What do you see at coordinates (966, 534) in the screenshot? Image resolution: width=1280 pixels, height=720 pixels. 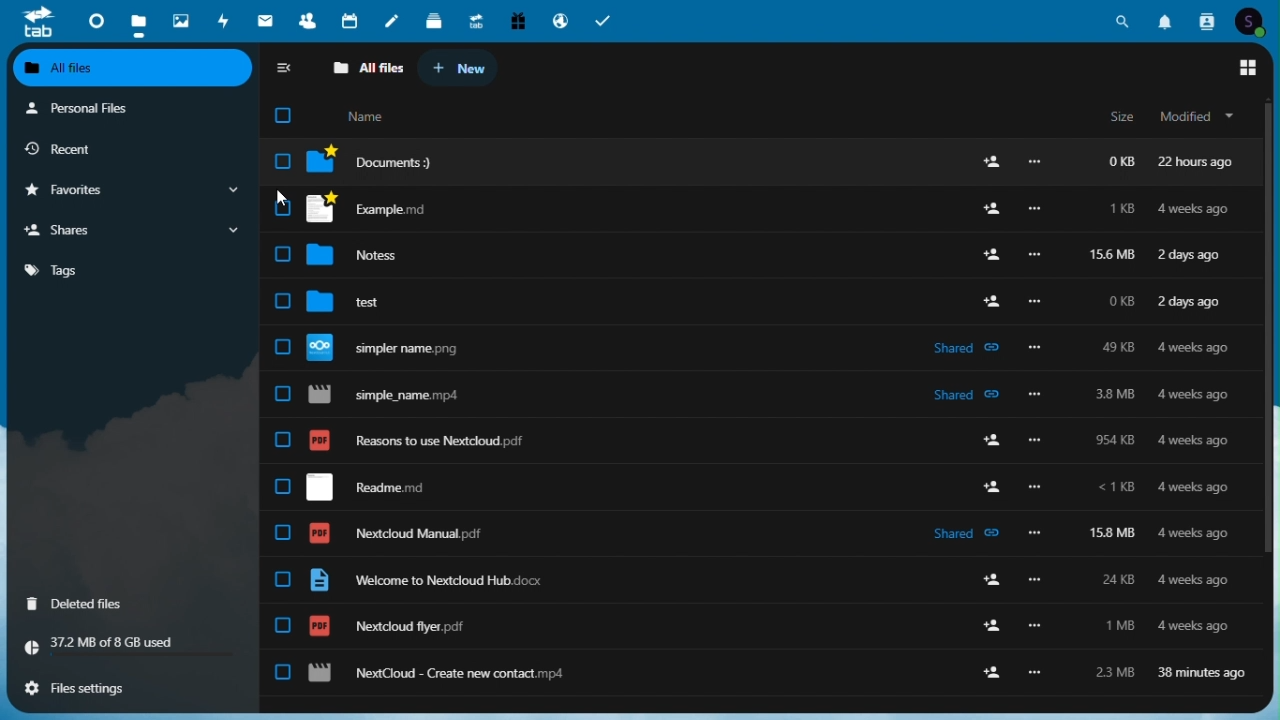 I see `shared` at bounding box center [966, 534].